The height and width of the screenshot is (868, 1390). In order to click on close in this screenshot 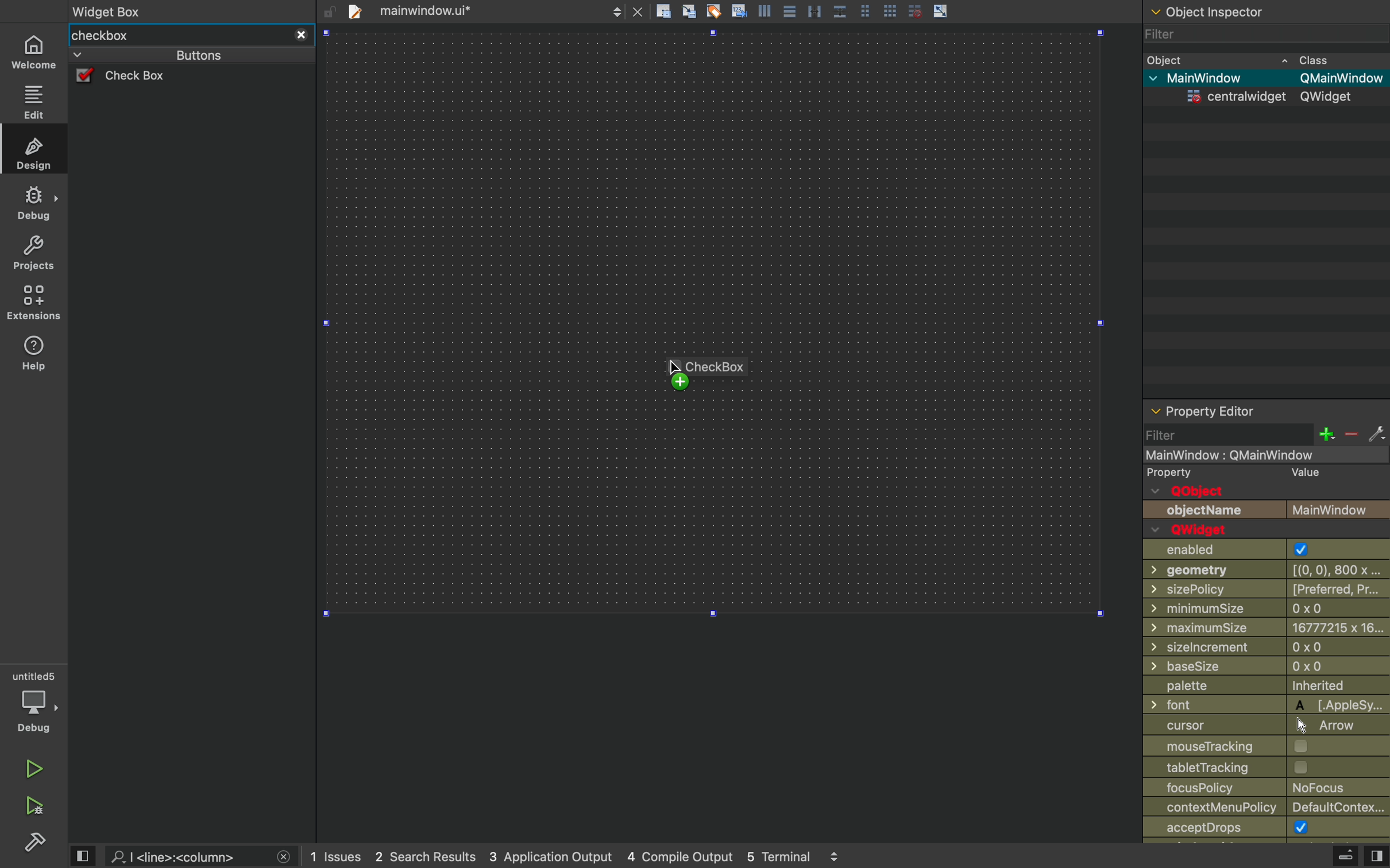, I will do `click(639, 11)`.